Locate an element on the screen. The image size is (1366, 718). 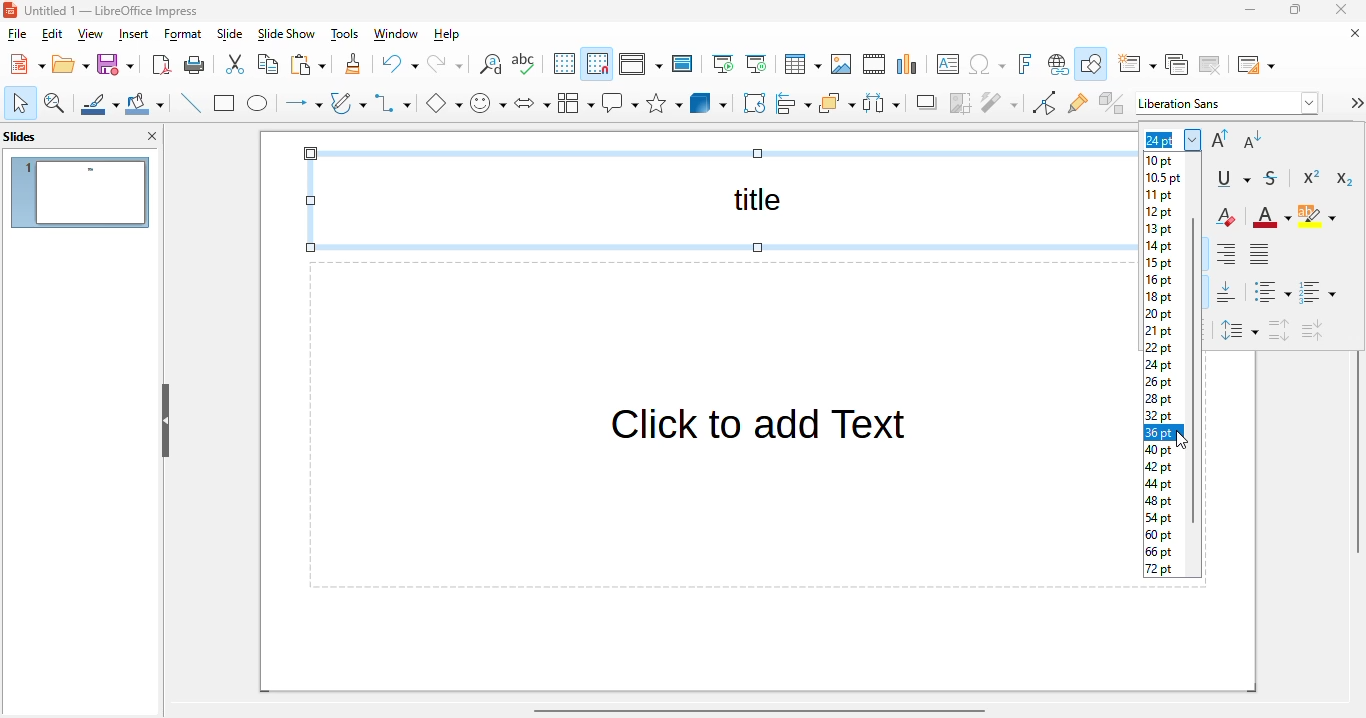
insert fontwork text is located at coordinates (1026, 63).